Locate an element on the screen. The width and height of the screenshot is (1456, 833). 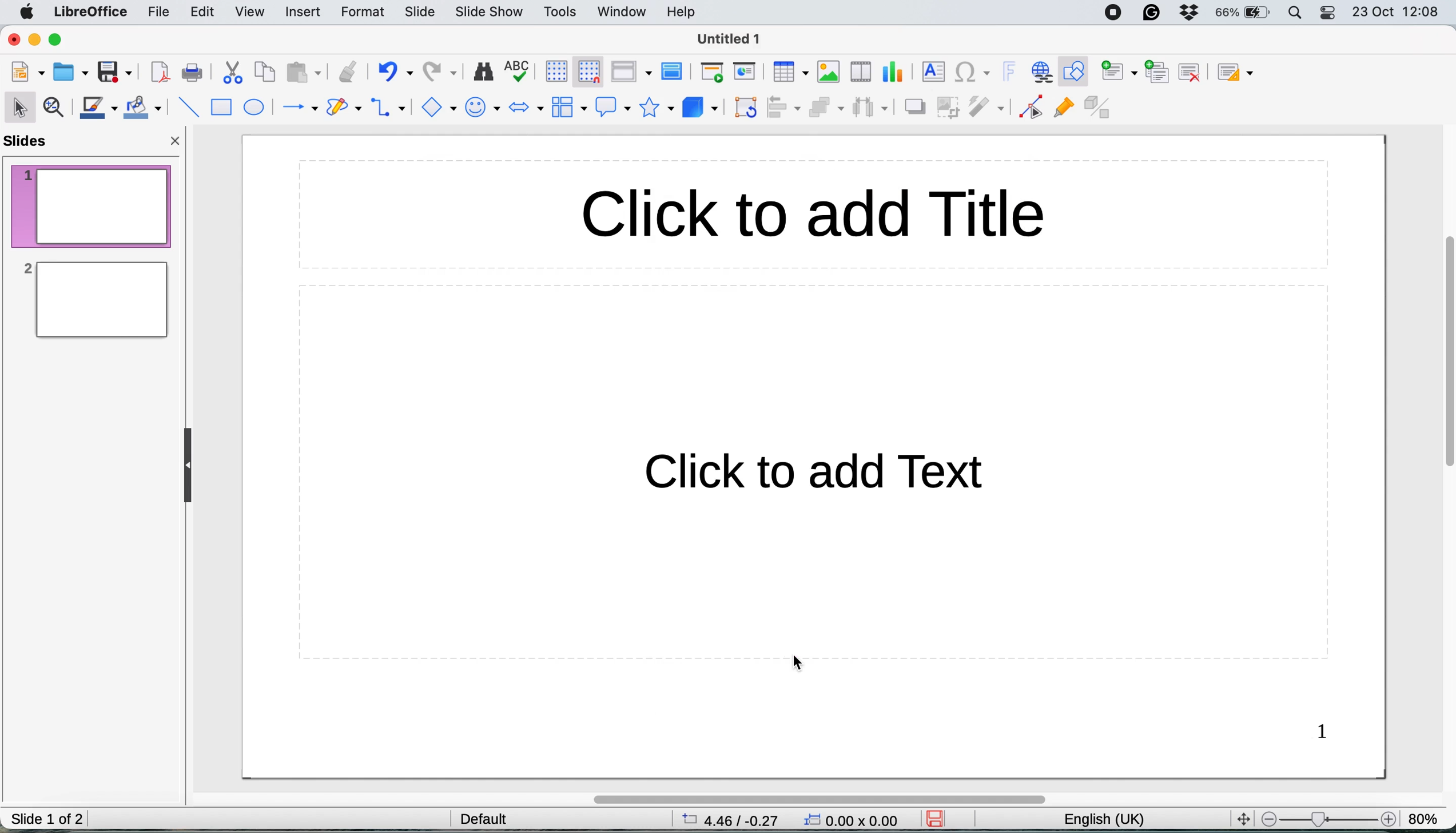
shadow is located at coordinates (914, 107).